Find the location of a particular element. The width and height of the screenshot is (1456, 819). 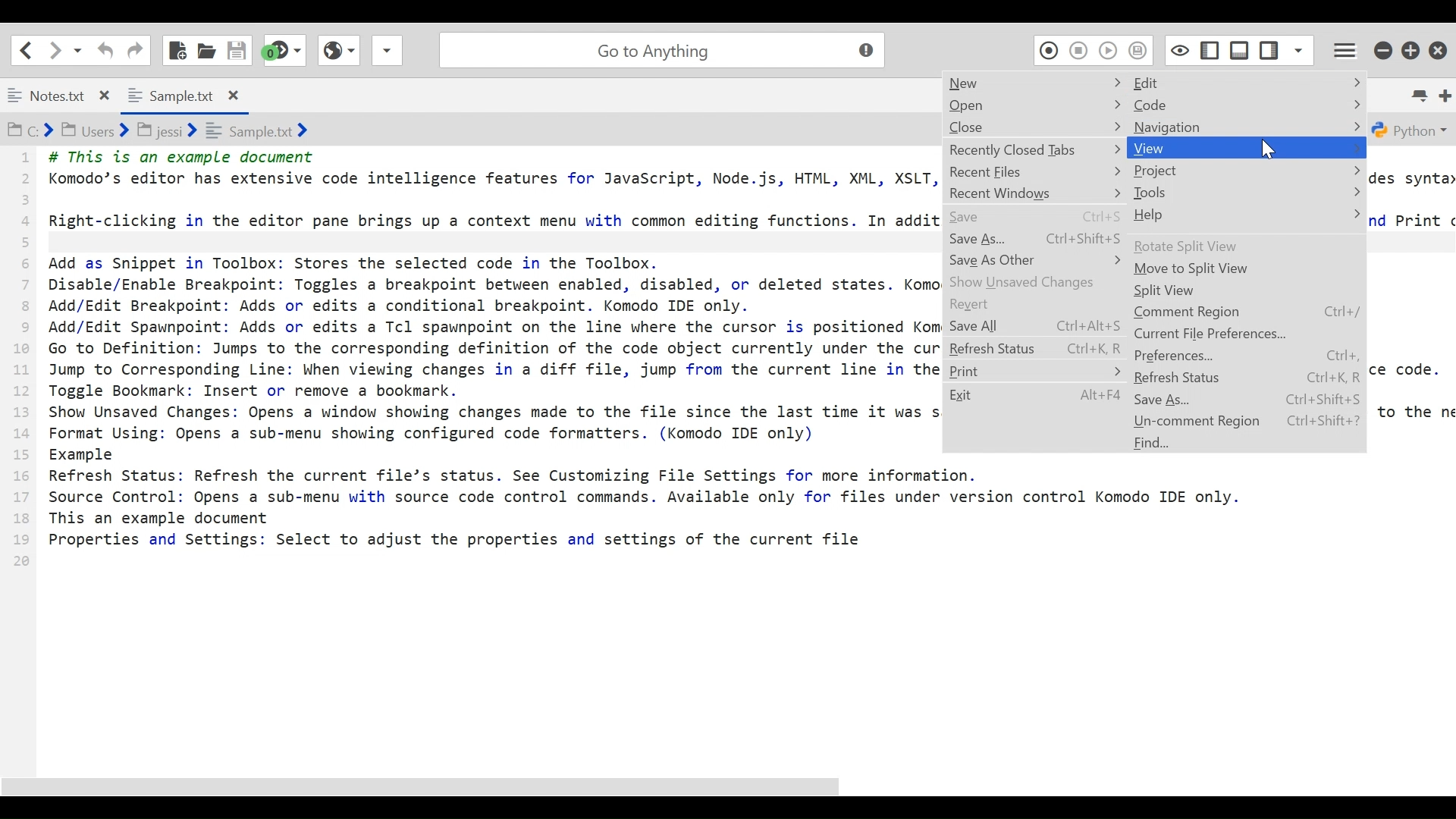

New is located at coordinates (1032, 83).